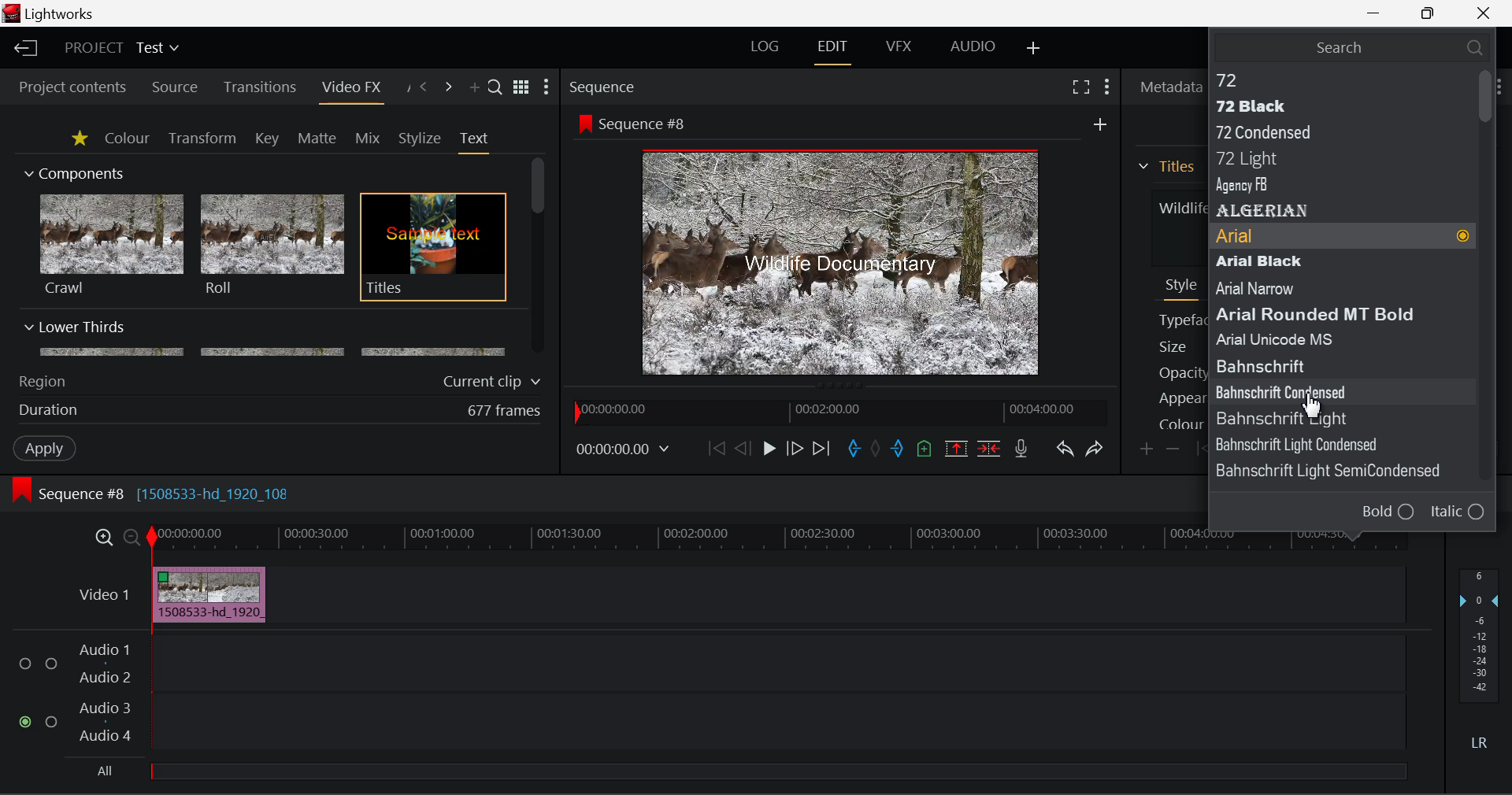 The image size is (1512, 795). Describe the element at coordinates (765, 46) in the screenshot. I see `LOG Layout` at that location.